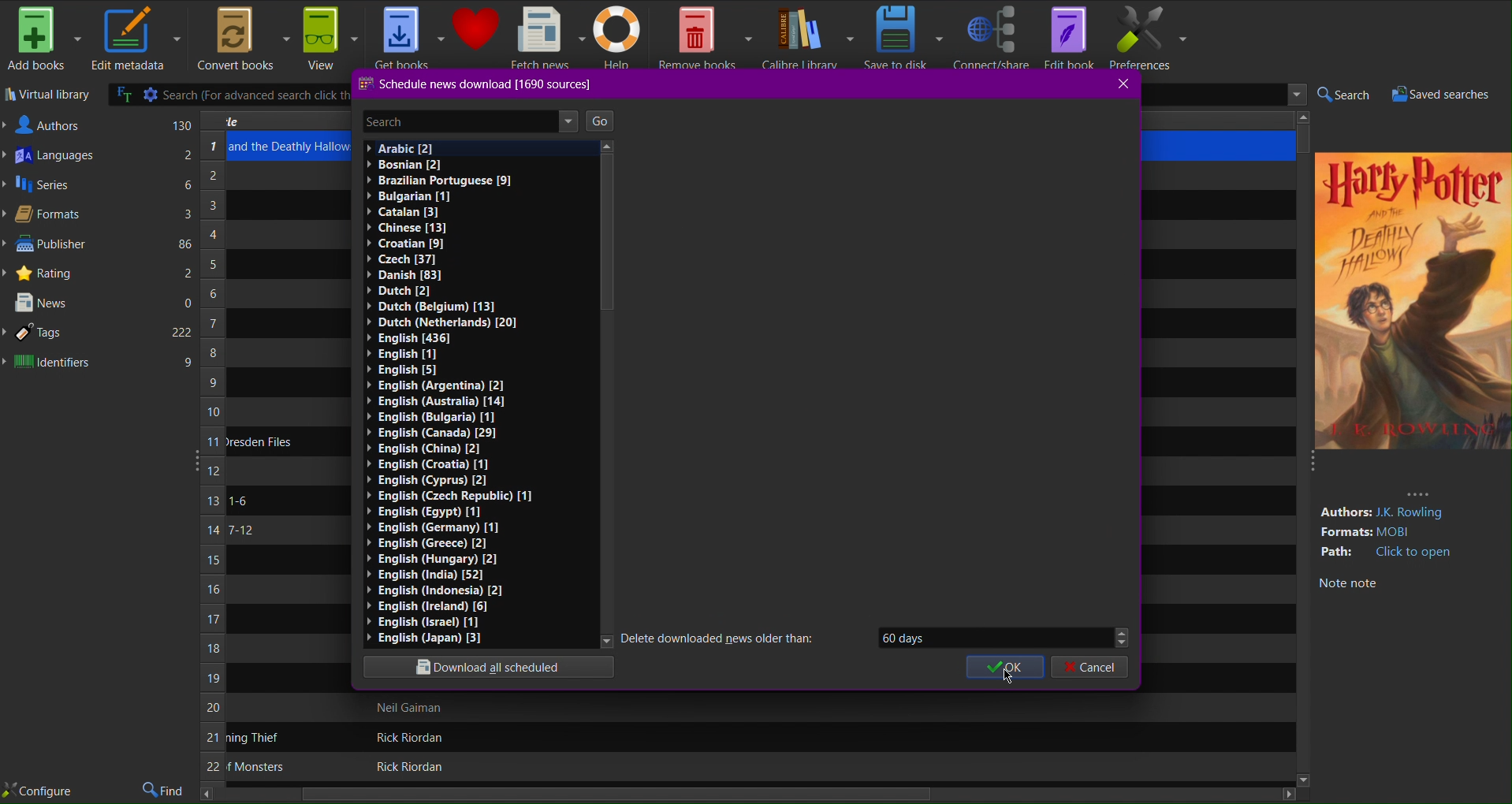 This screenshot has height=804, width=1512. Describe the element at coordinates (1345, 533) in the screenshot. I see `Formats :` at that location.